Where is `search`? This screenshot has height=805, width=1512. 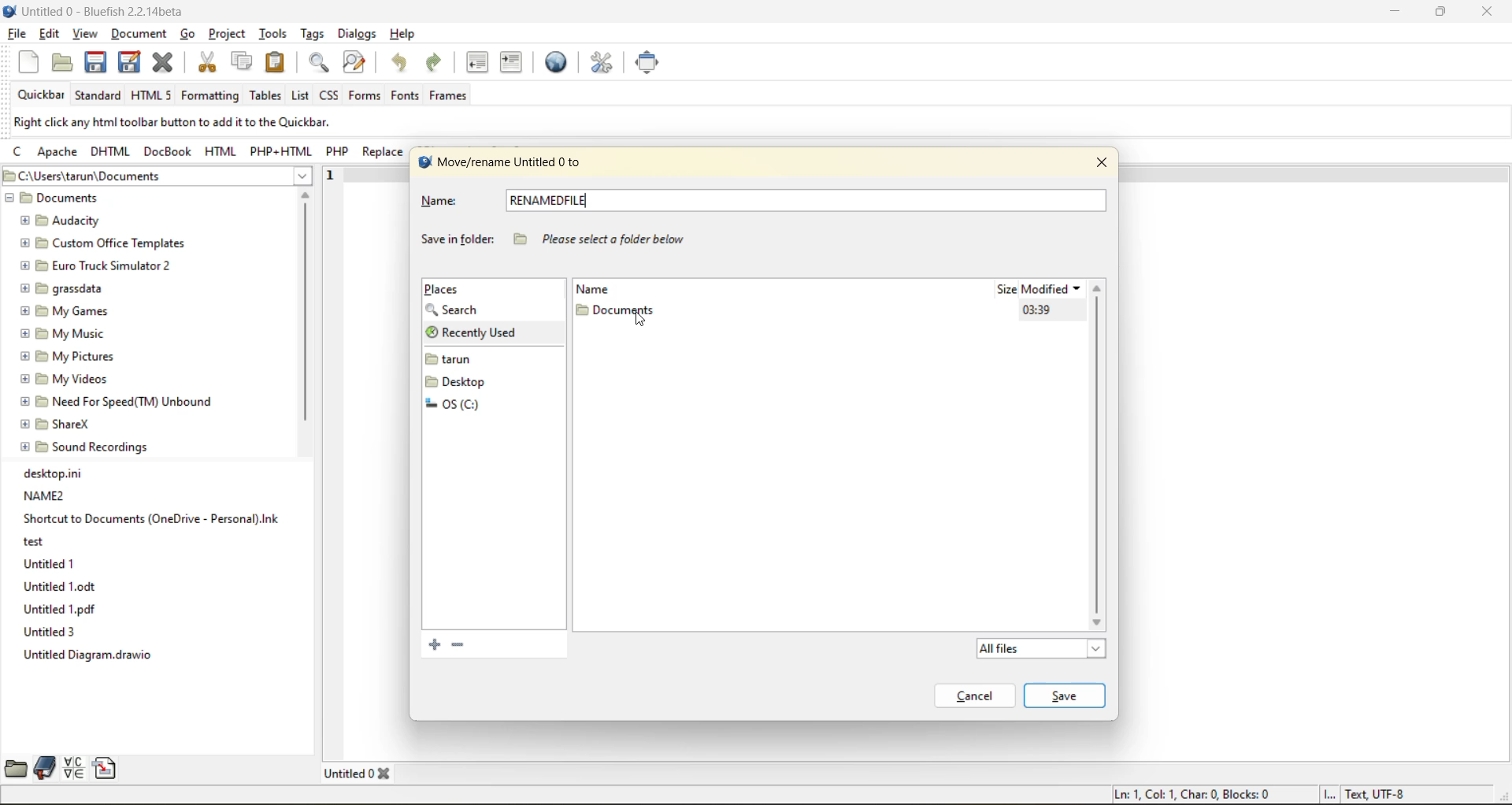
search is located at coordinates (465, 310).